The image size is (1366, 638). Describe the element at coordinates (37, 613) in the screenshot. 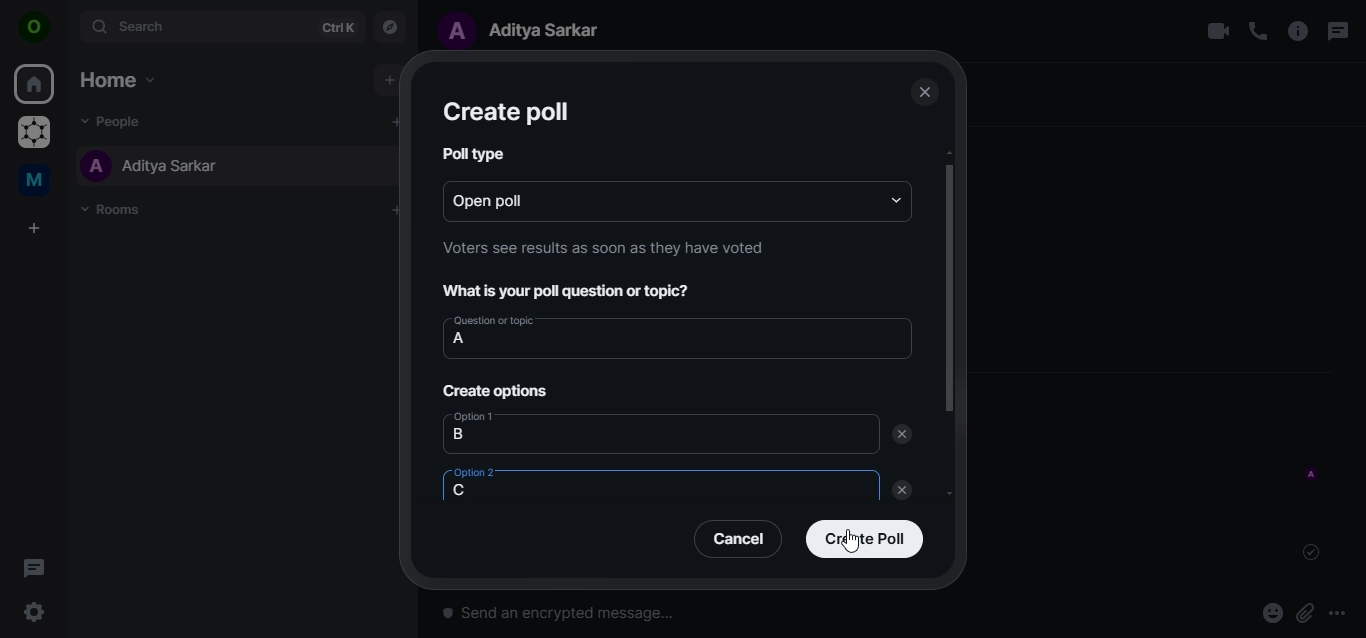

I see `quicker settings` at that location.